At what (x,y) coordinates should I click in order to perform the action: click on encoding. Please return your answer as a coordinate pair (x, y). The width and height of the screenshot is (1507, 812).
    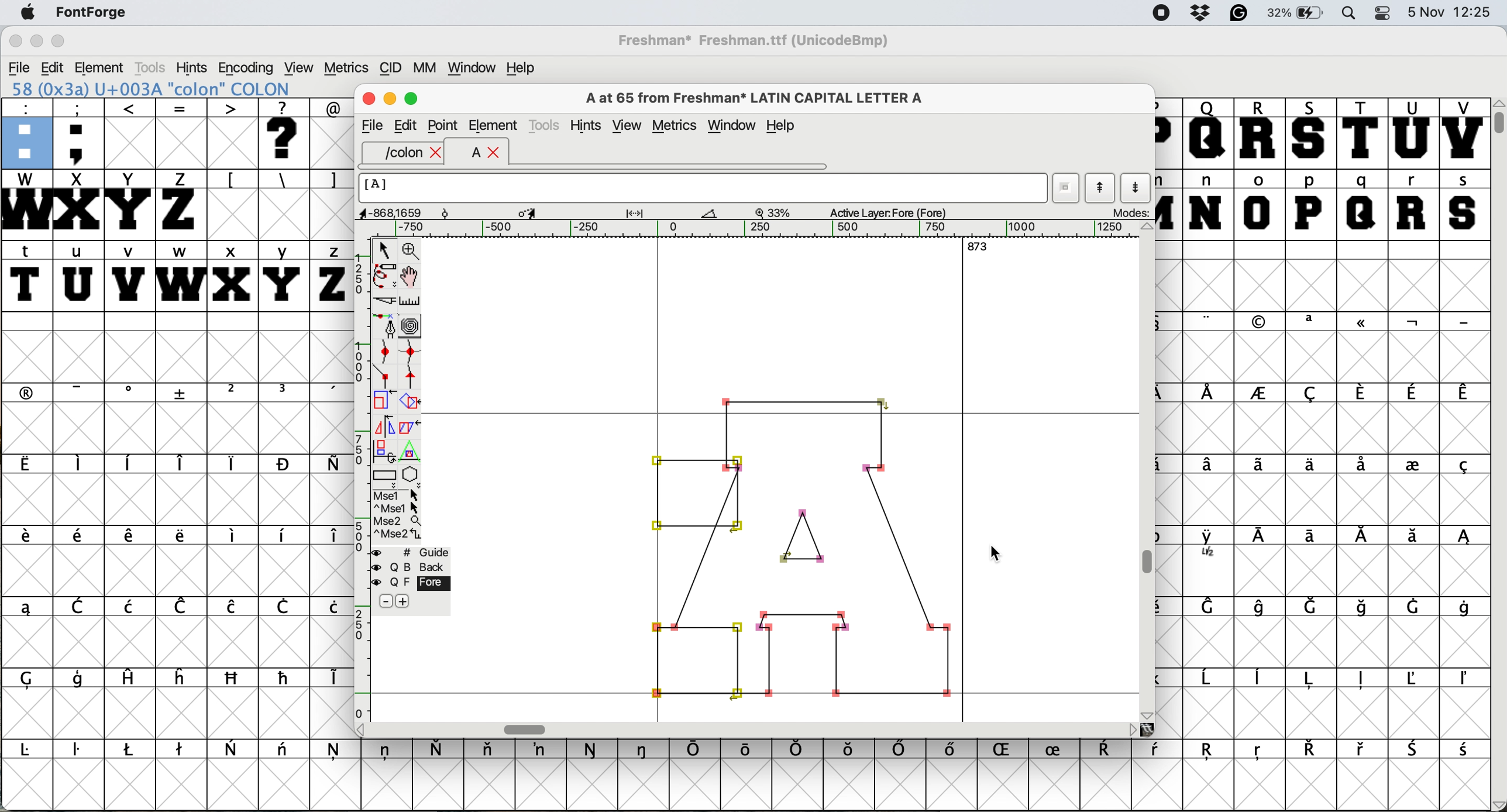
    Looking at the image, I should click on (246, 68).